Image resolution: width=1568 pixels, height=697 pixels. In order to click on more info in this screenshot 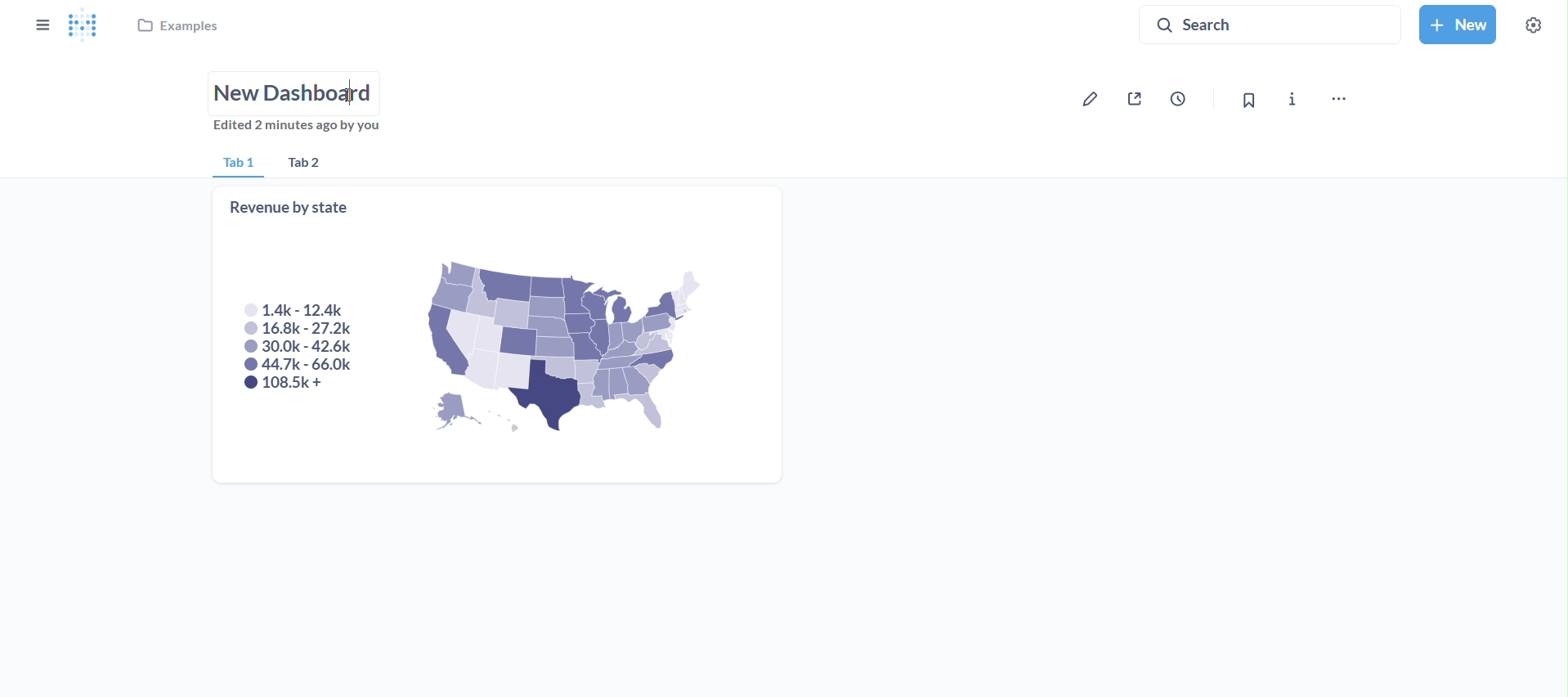, I will do `click(1292, 100)`.